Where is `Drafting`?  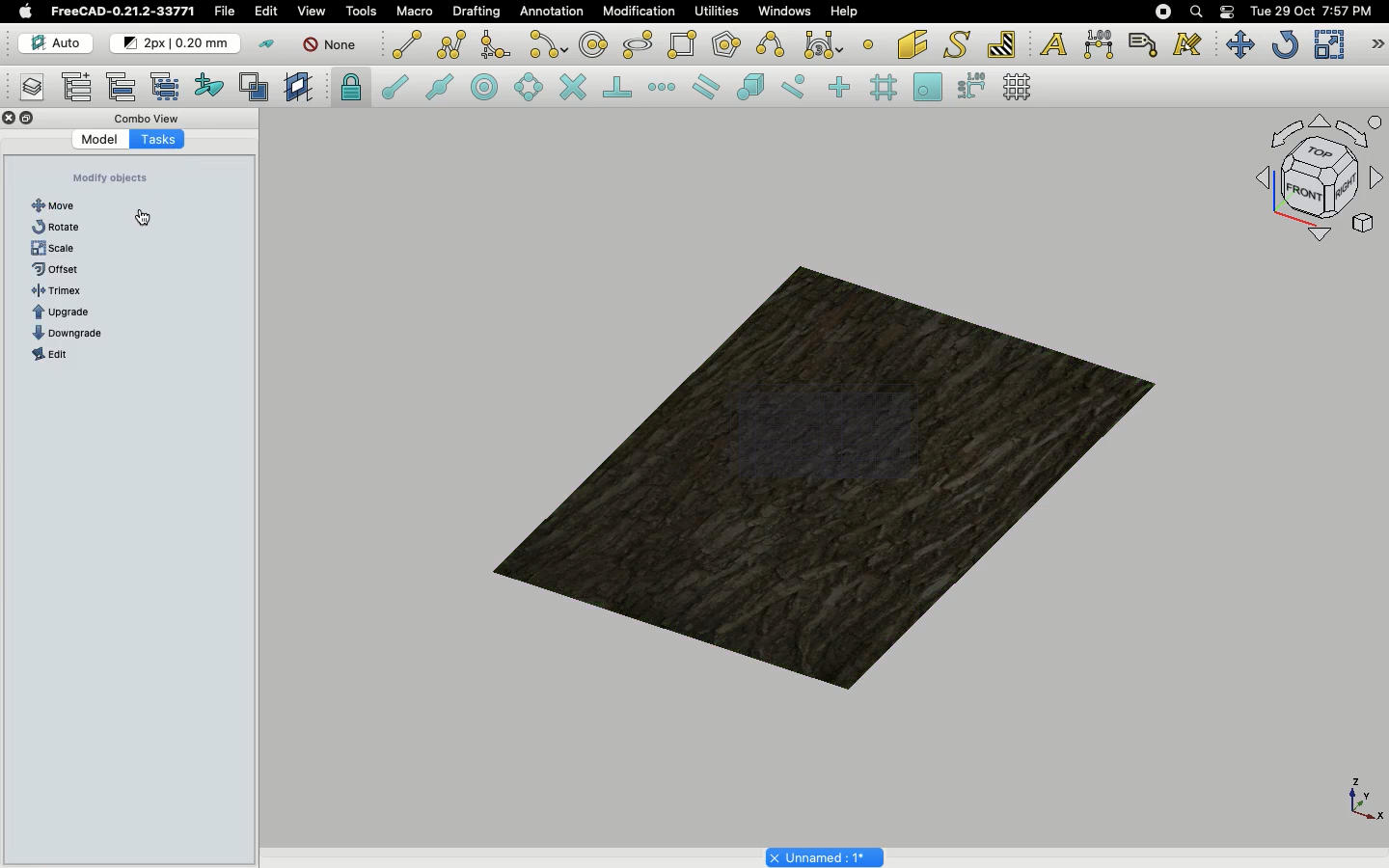 Drafting is located at coordinates (478, 11).